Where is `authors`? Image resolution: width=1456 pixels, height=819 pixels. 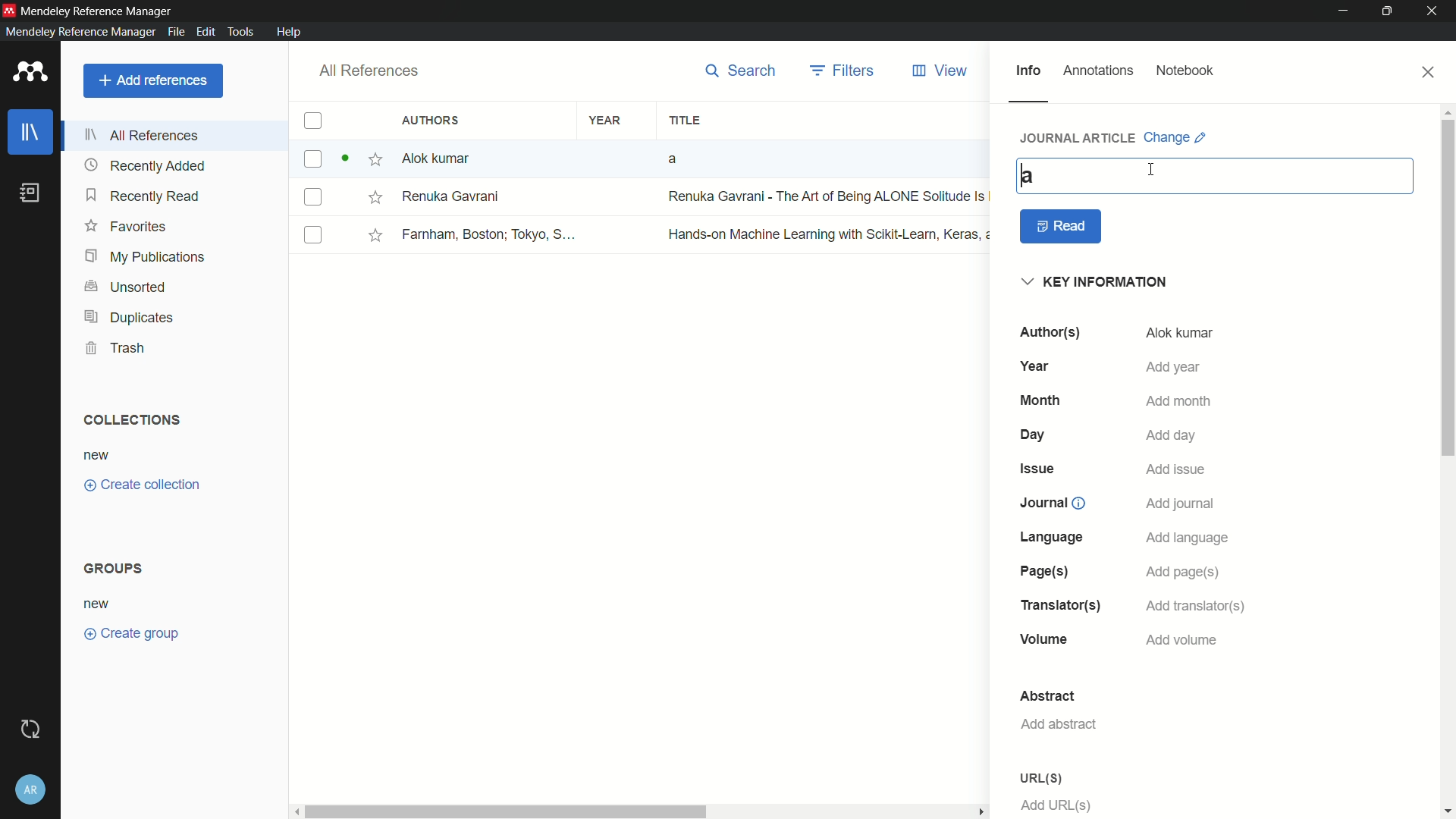
authors is located at coordinates (1049, 332).